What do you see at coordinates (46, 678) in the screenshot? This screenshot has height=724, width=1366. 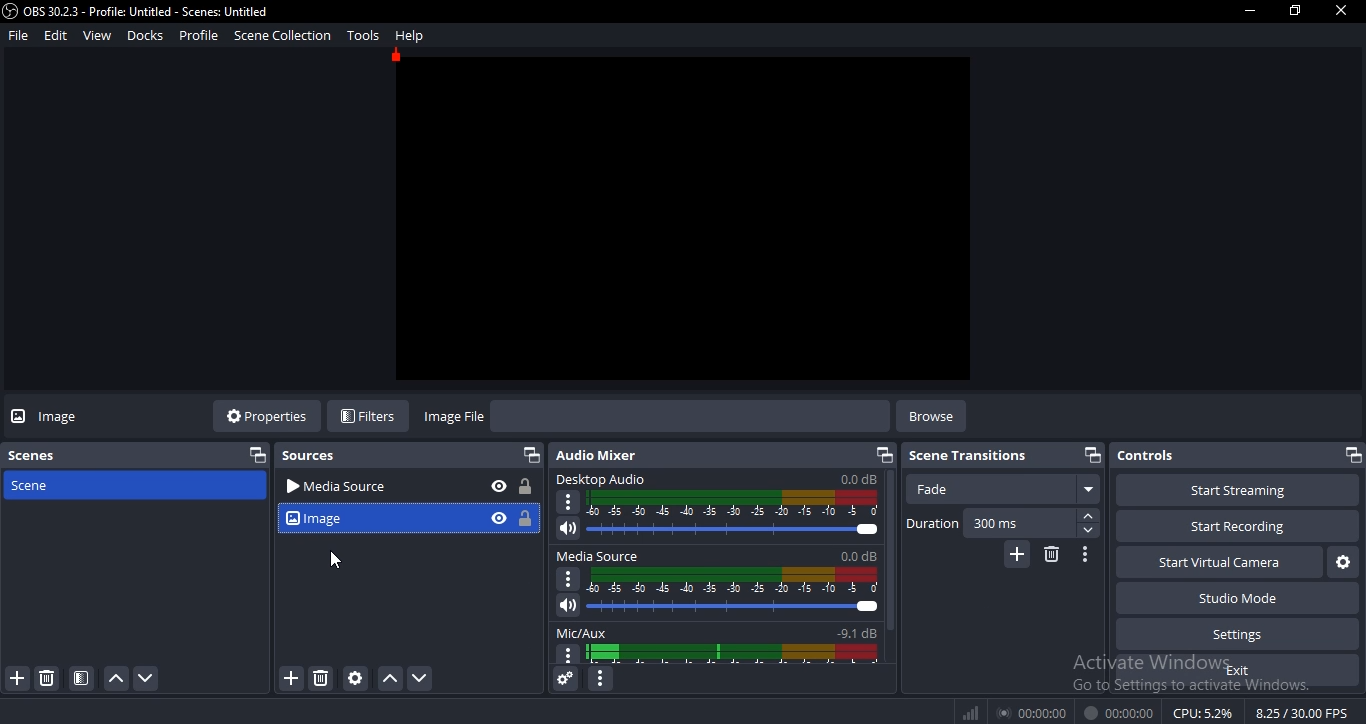 I see `remove scene` at bounding box center [46, 678].